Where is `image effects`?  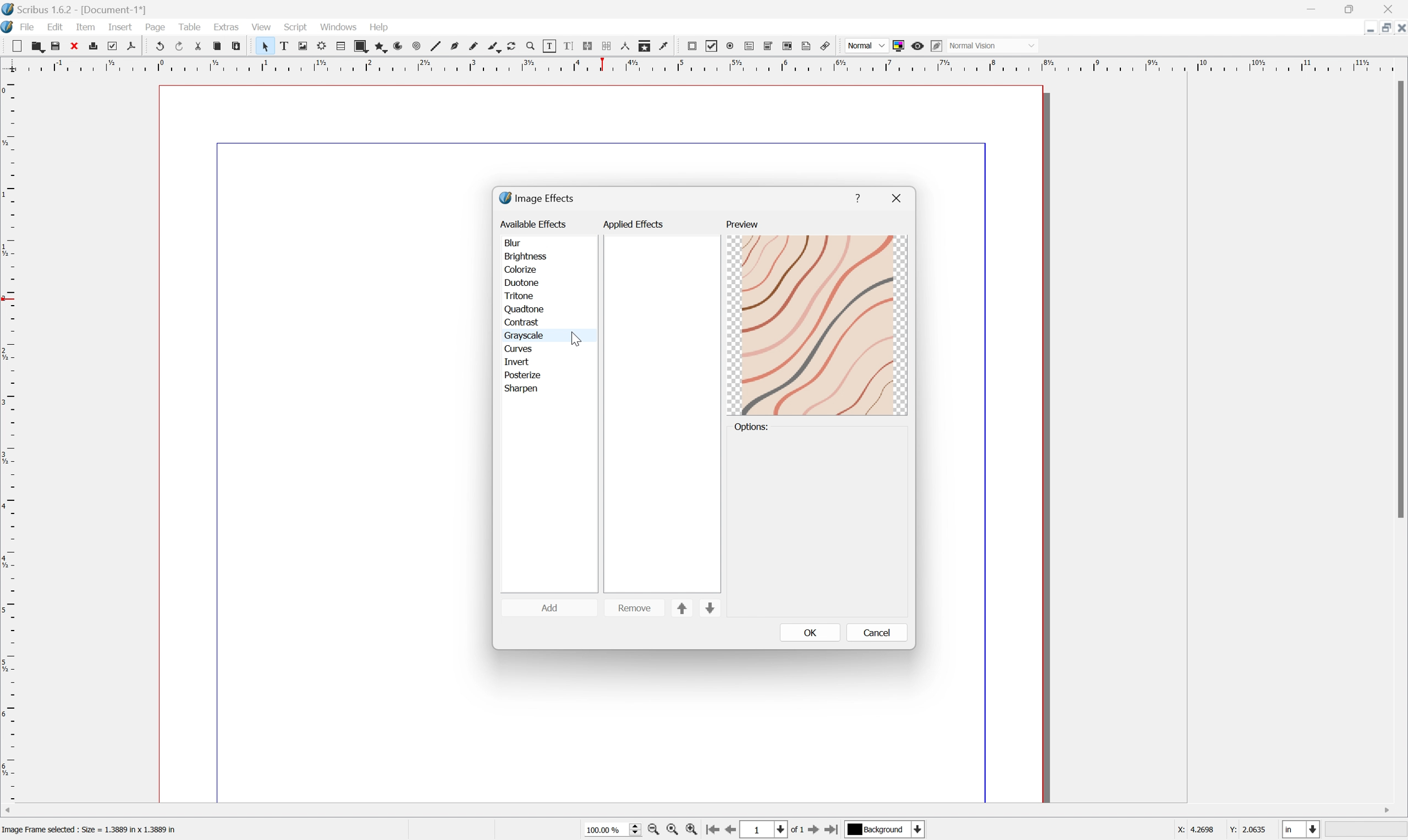
image effects is located at coordinates (538, 198).